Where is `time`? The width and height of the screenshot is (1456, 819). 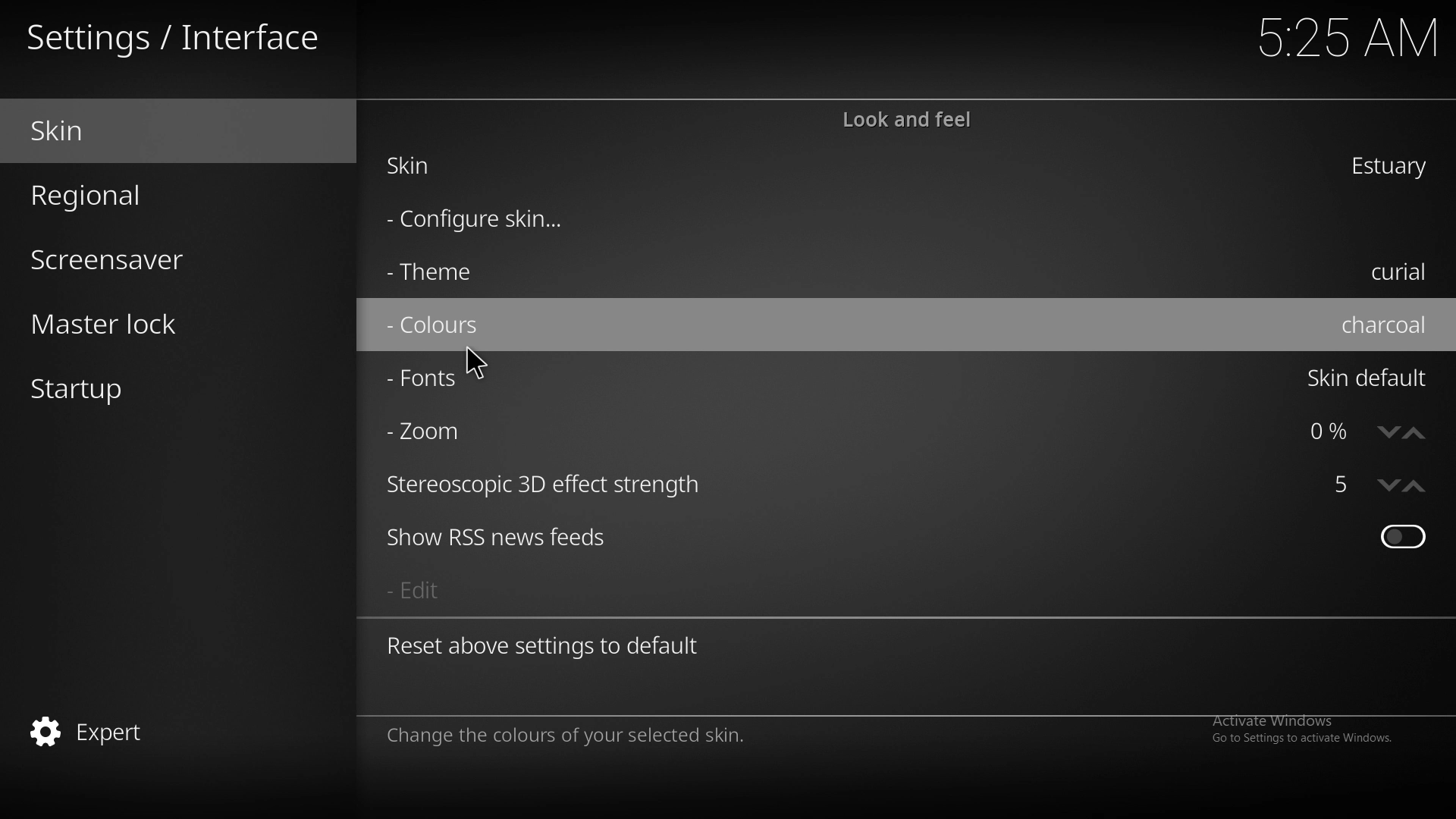
time is located at coordinates (1332, 37).